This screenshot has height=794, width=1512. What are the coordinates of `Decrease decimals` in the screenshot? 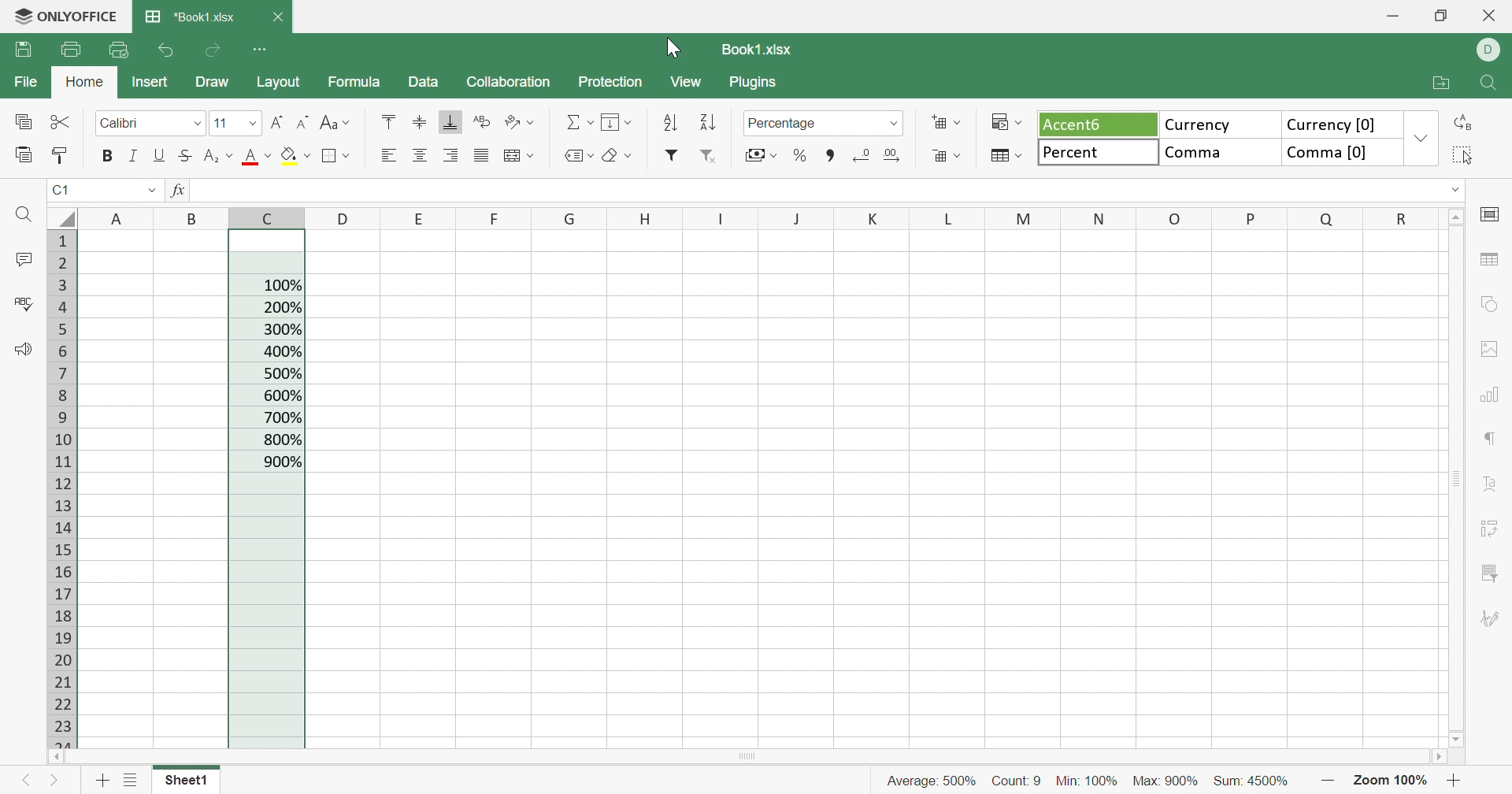 It's located at (863, 157).